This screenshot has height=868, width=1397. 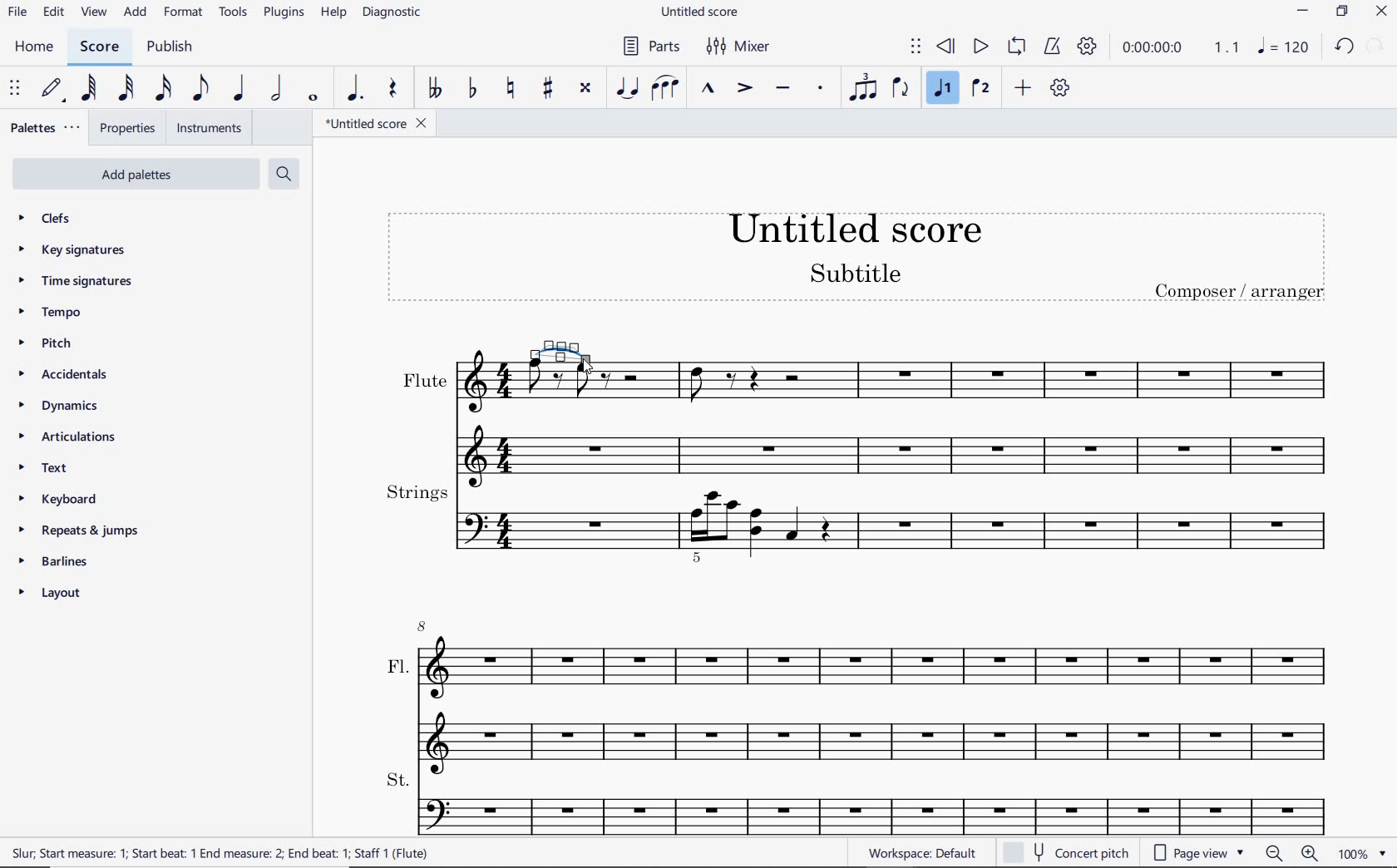 I want to click on score description, so click(x=220, y=852).